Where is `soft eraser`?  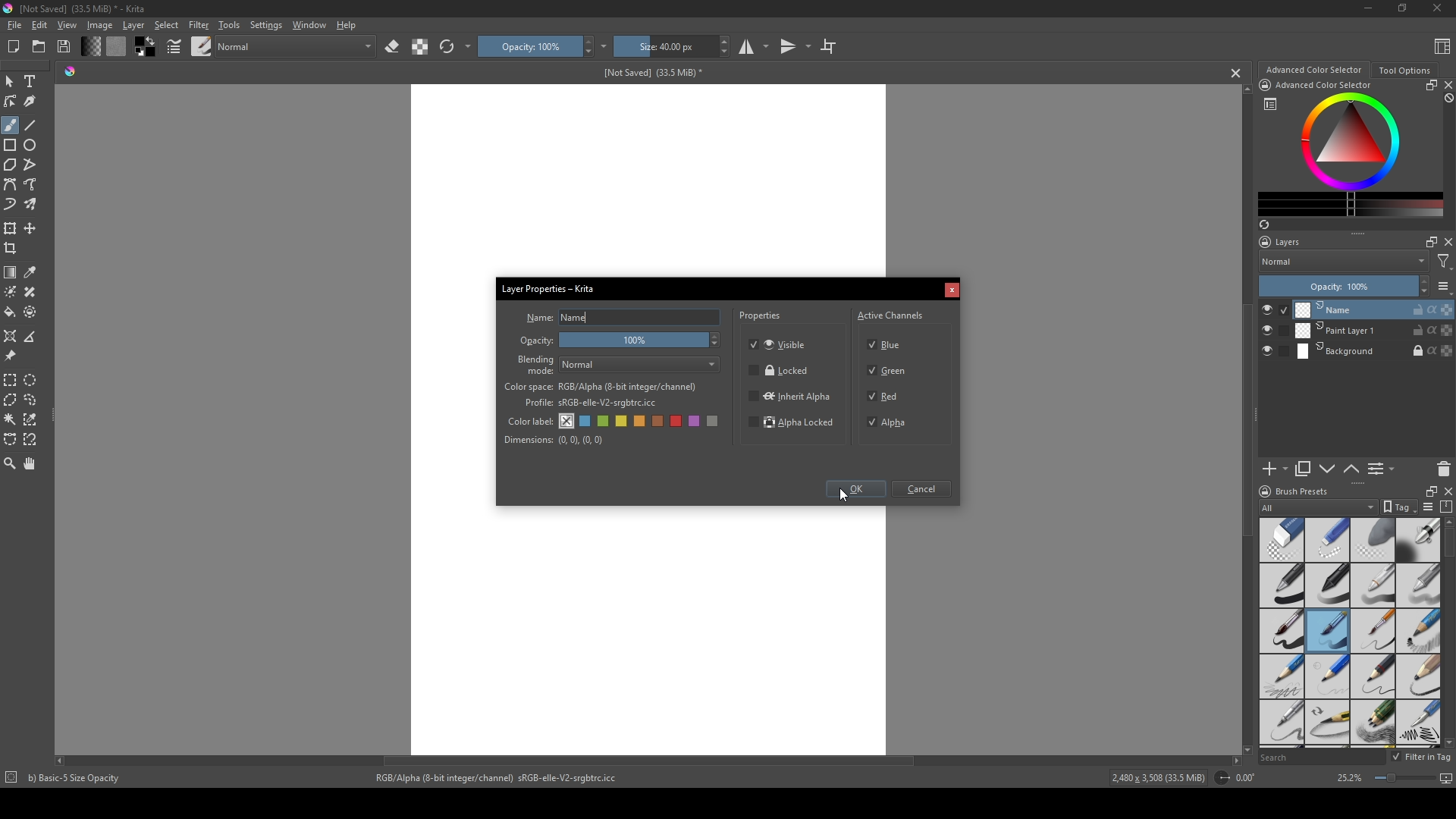
soft eraser is located at coordinates (1373, 539).